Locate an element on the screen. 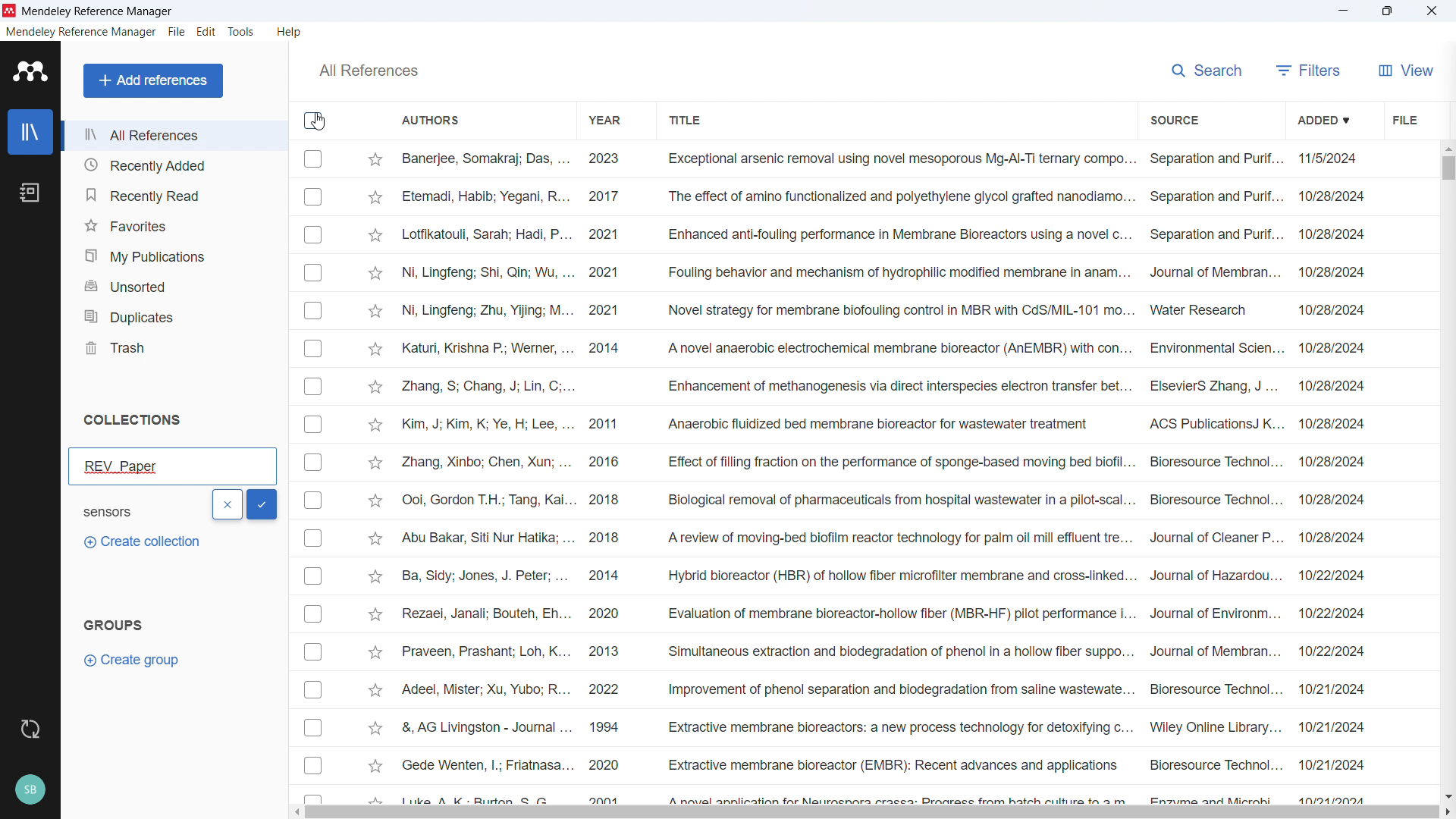 The height and width of the screenshot is (819, 1456). Select respective publication is located at coordinates (313, 234).